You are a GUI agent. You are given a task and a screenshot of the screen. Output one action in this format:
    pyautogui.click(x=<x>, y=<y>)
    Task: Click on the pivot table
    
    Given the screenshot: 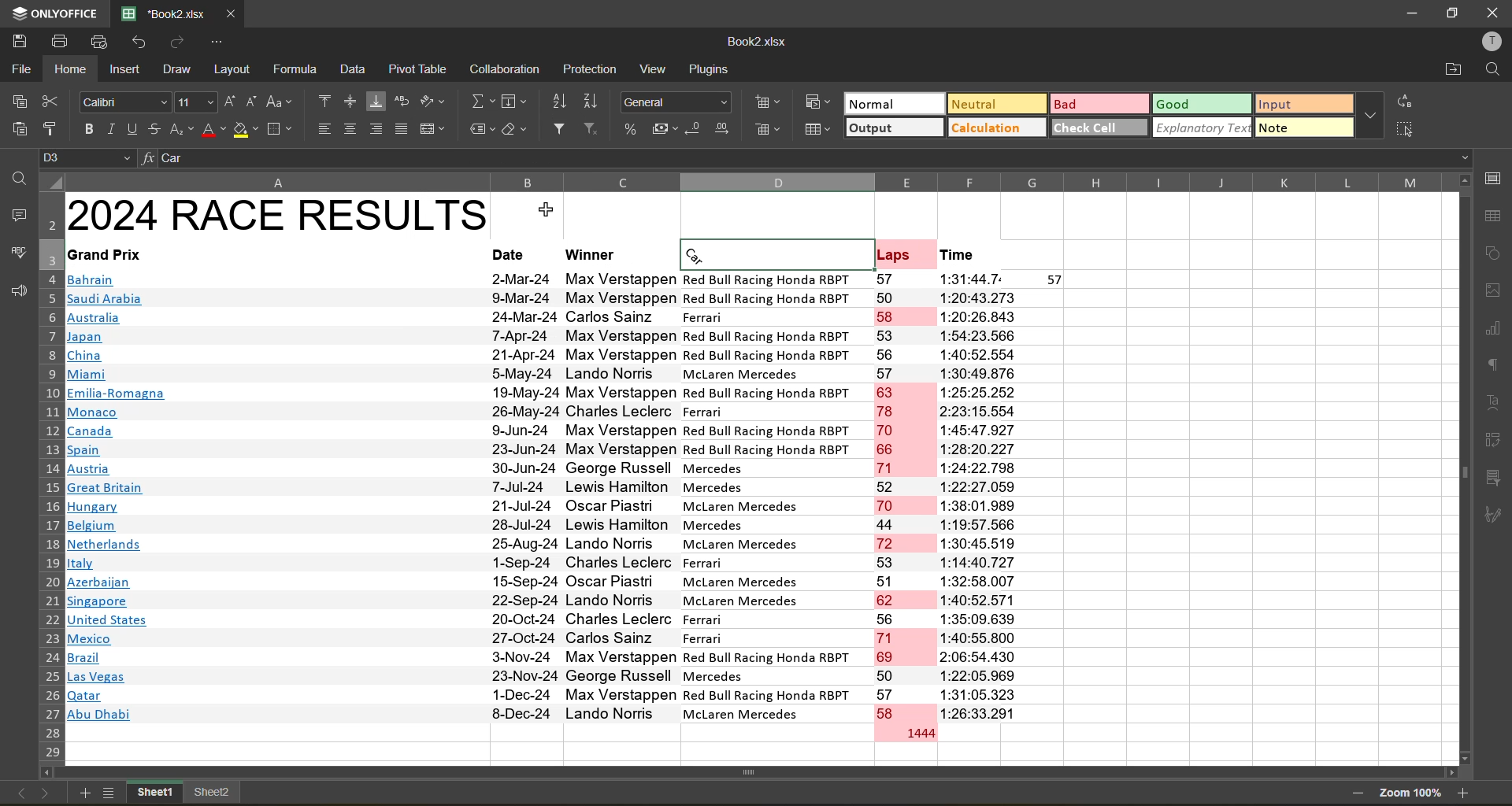 What is the action you would take?
    pyautogui.click(x=1492, y=439)
    